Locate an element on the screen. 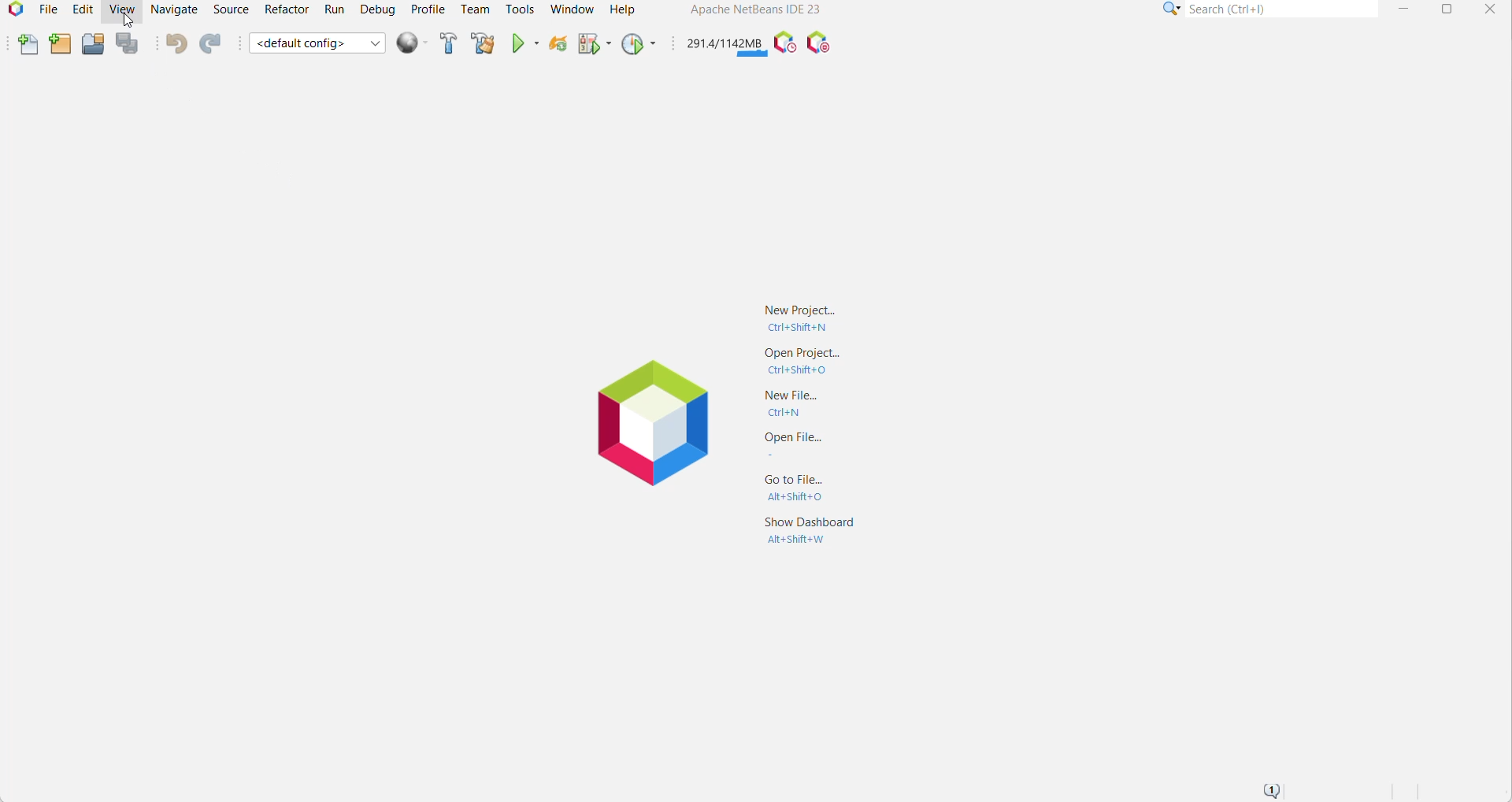 This screenshot has width=1512, height=802. File is located at coordinates (47, 11).